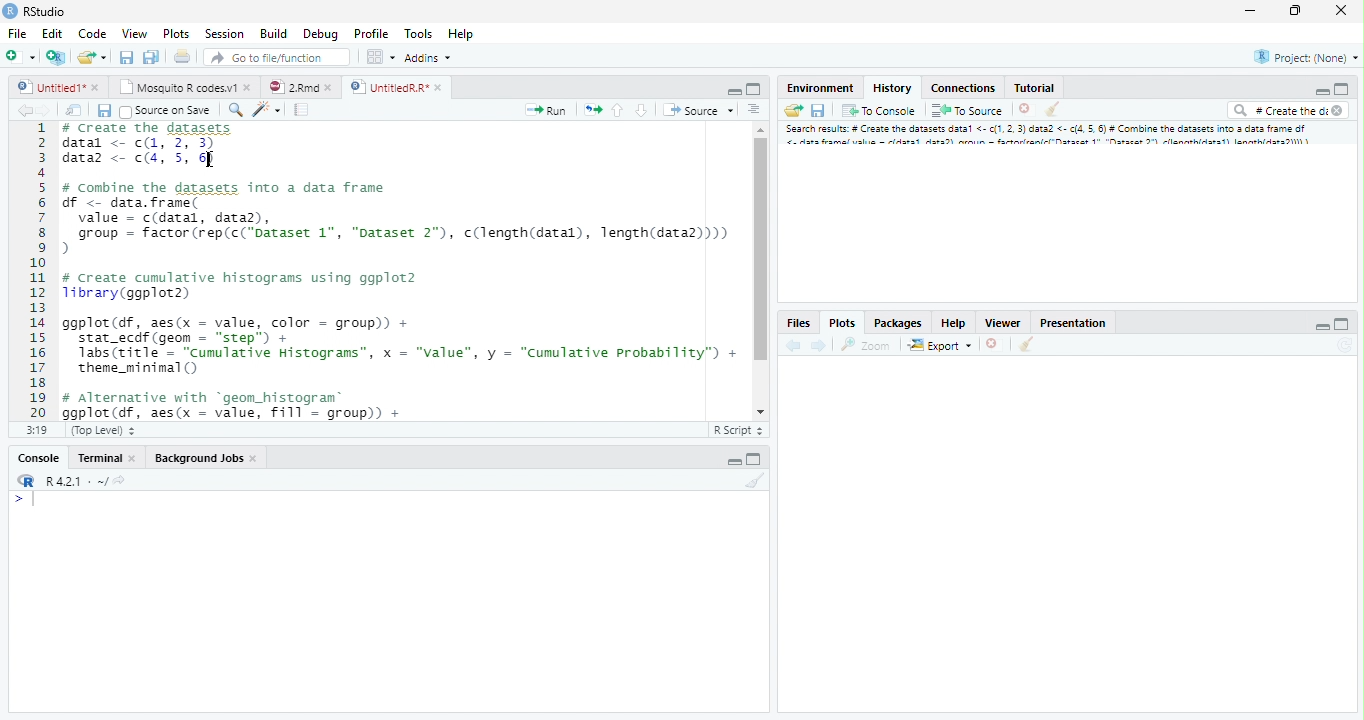 This screenshot has height=720, width=1364. Describe the element at coordinates (1052, 137) in the screenshot. I see `Search result # create dataset data..` at that location.